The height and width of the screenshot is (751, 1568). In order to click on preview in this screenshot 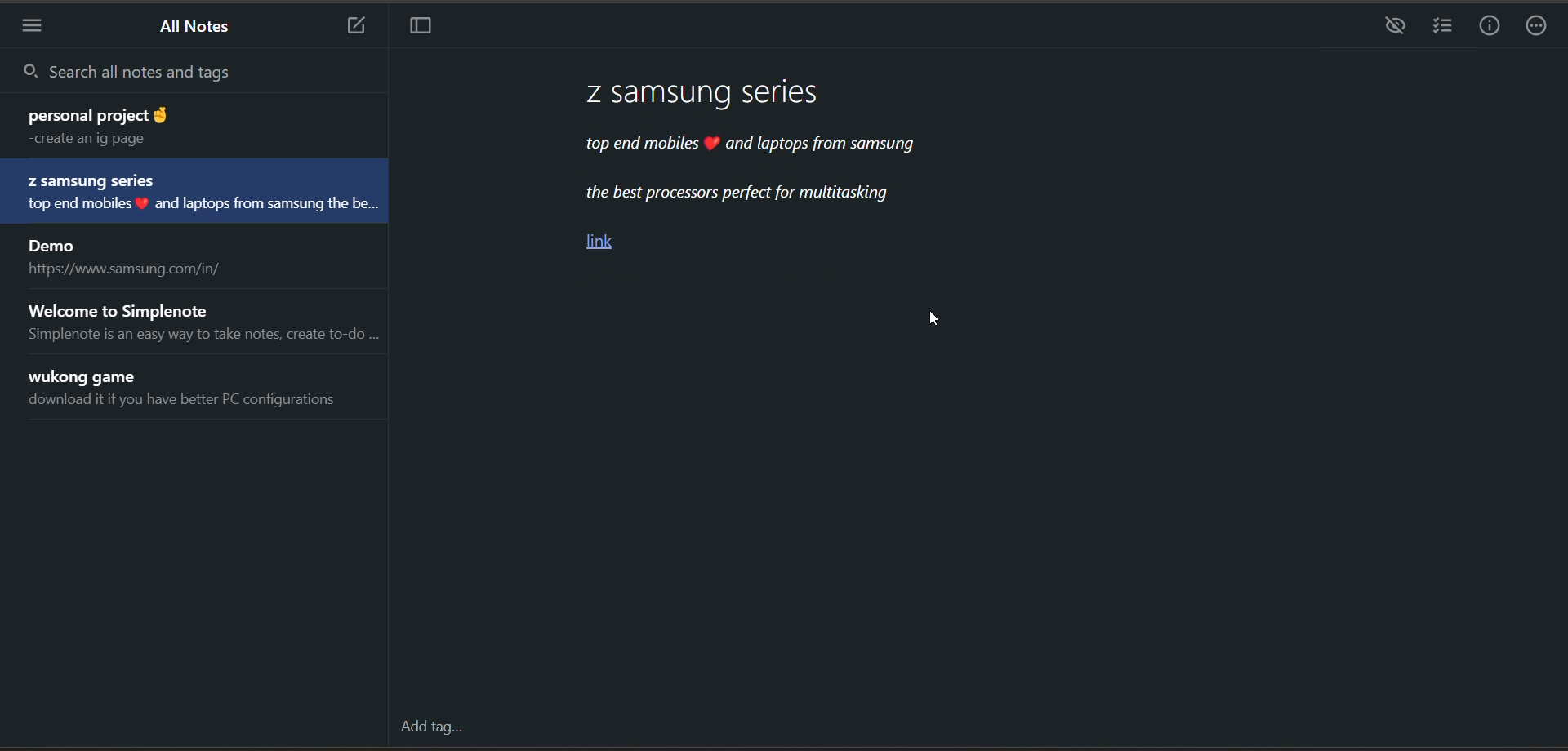, I will do `click(1389, 30)`.